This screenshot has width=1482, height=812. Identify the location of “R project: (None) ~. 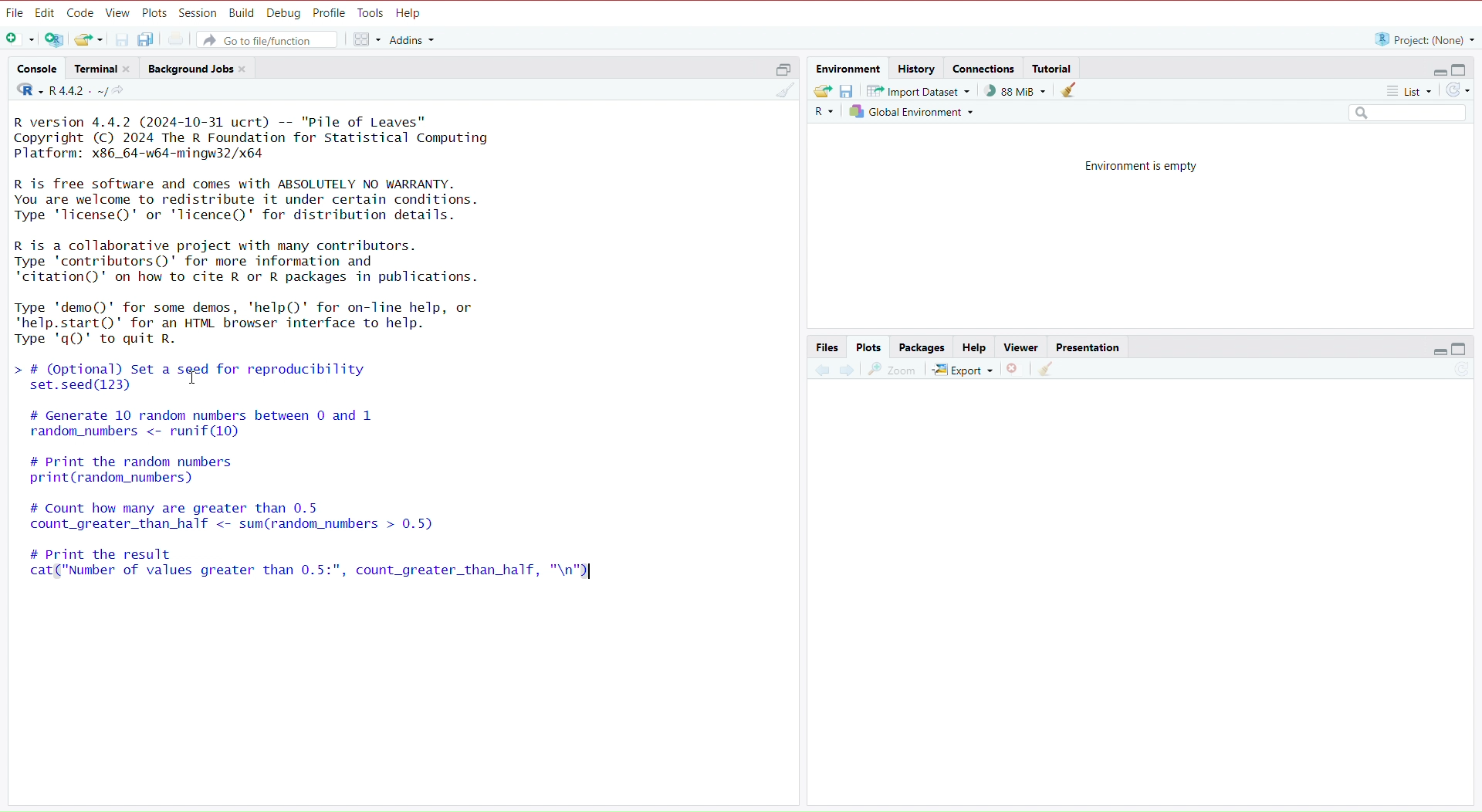
(1425, 37).